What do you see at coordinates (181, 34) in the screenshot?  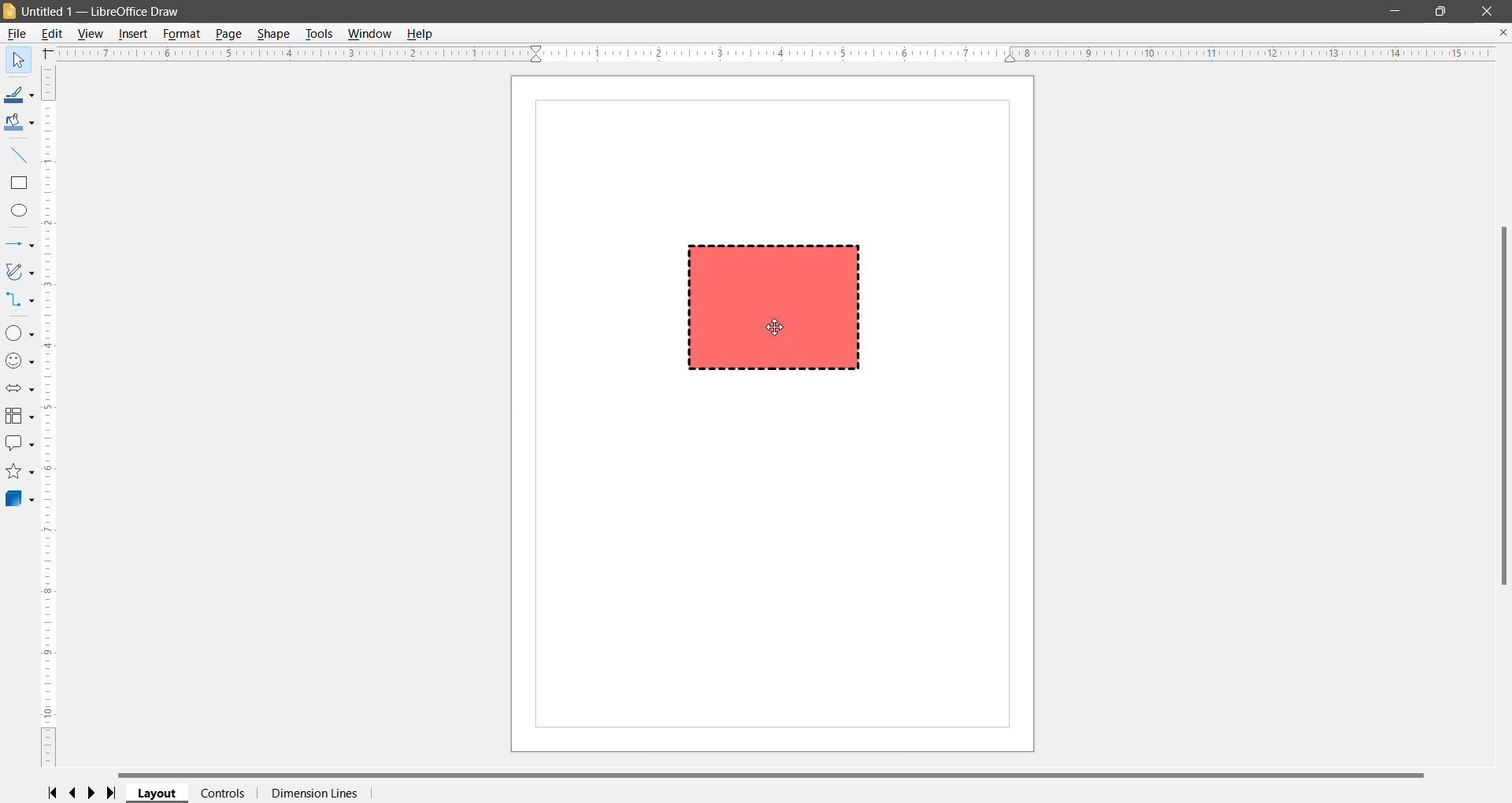 I see `Format` at bounding box center [181, 34].